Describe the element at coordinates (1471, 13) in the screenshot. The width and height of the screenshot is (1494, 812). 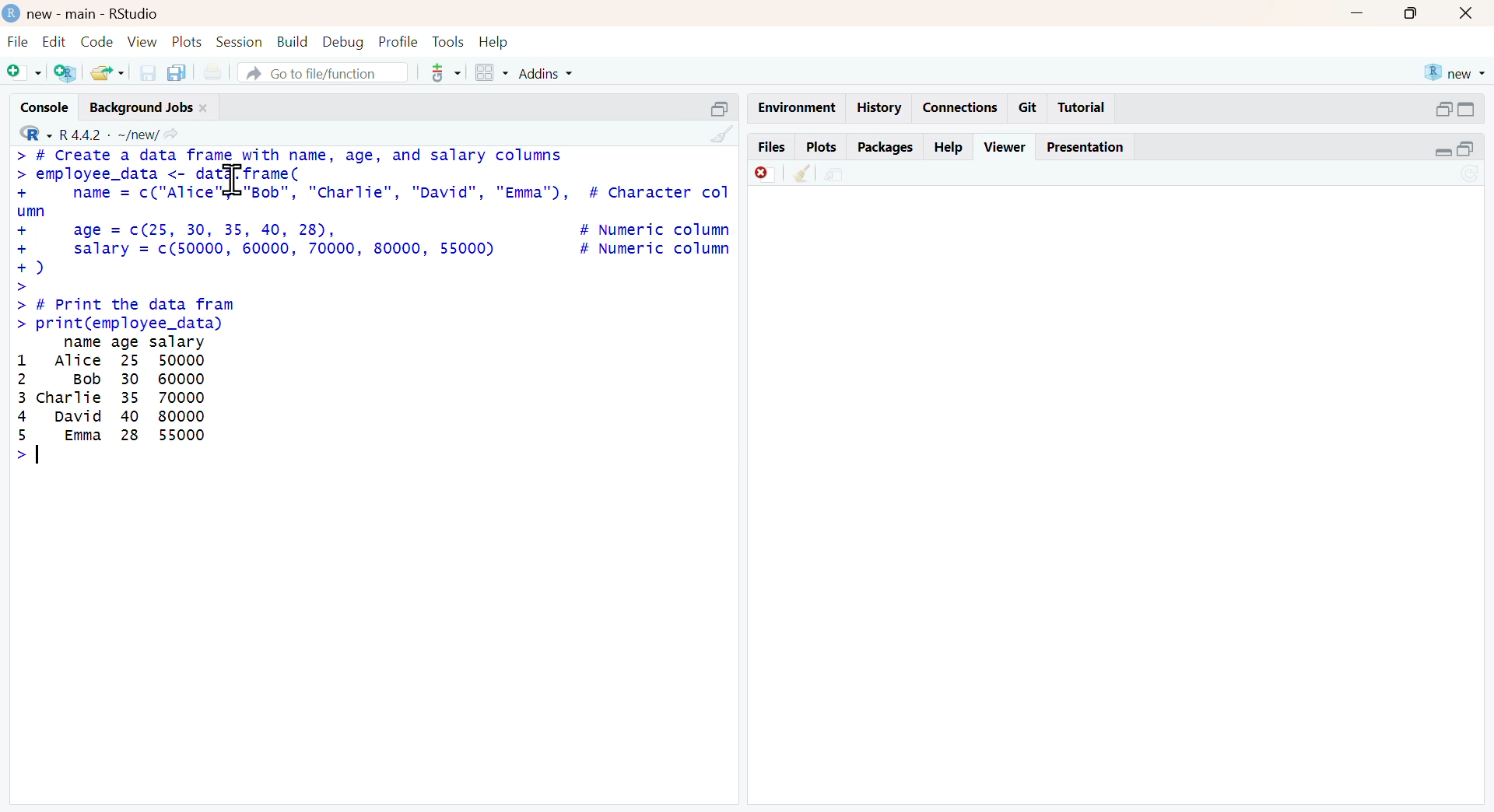
I see `close` at that location.